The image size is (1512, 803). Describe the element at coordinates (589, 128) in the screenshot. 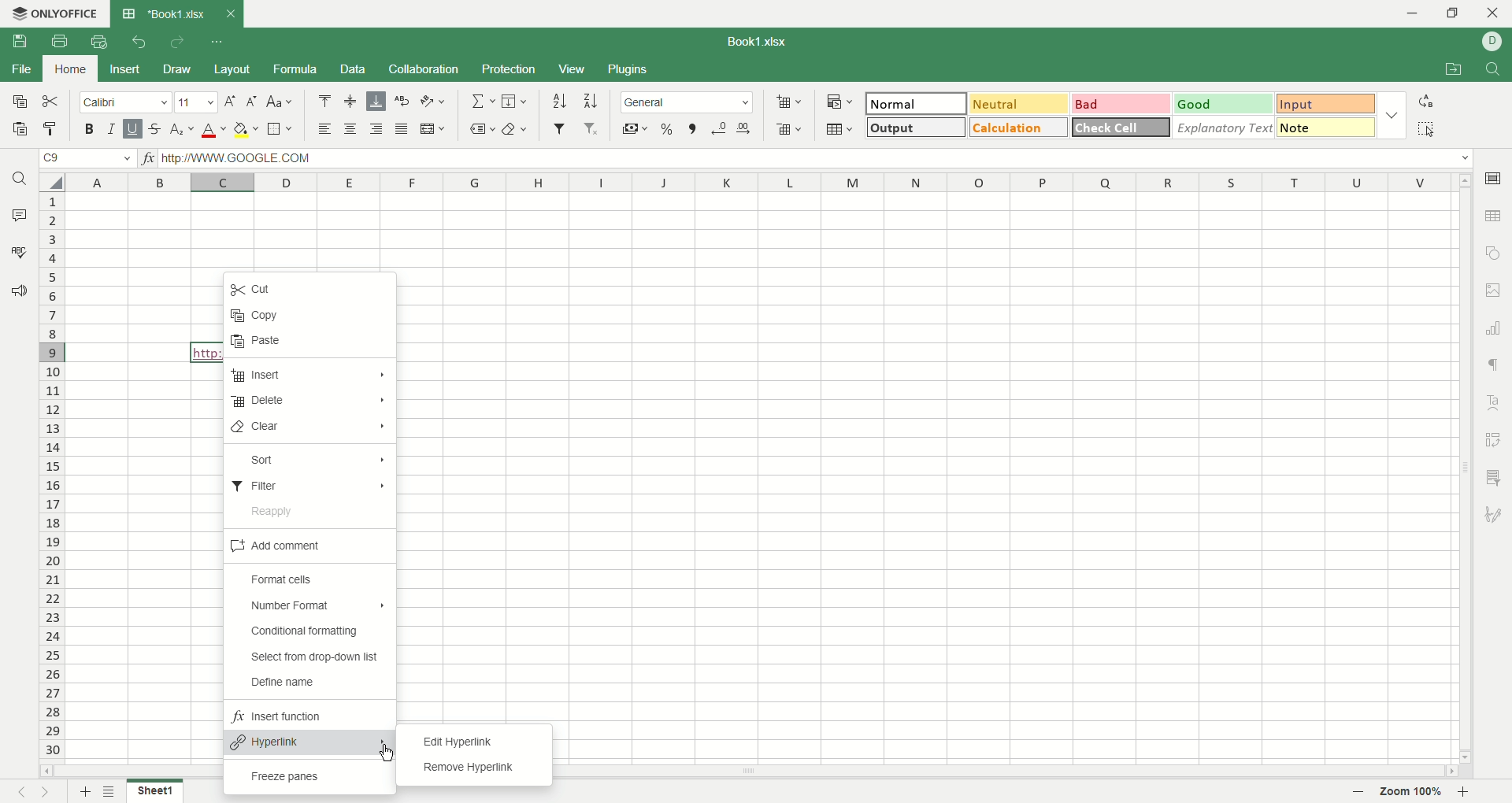

I see `remove filter` at that location.